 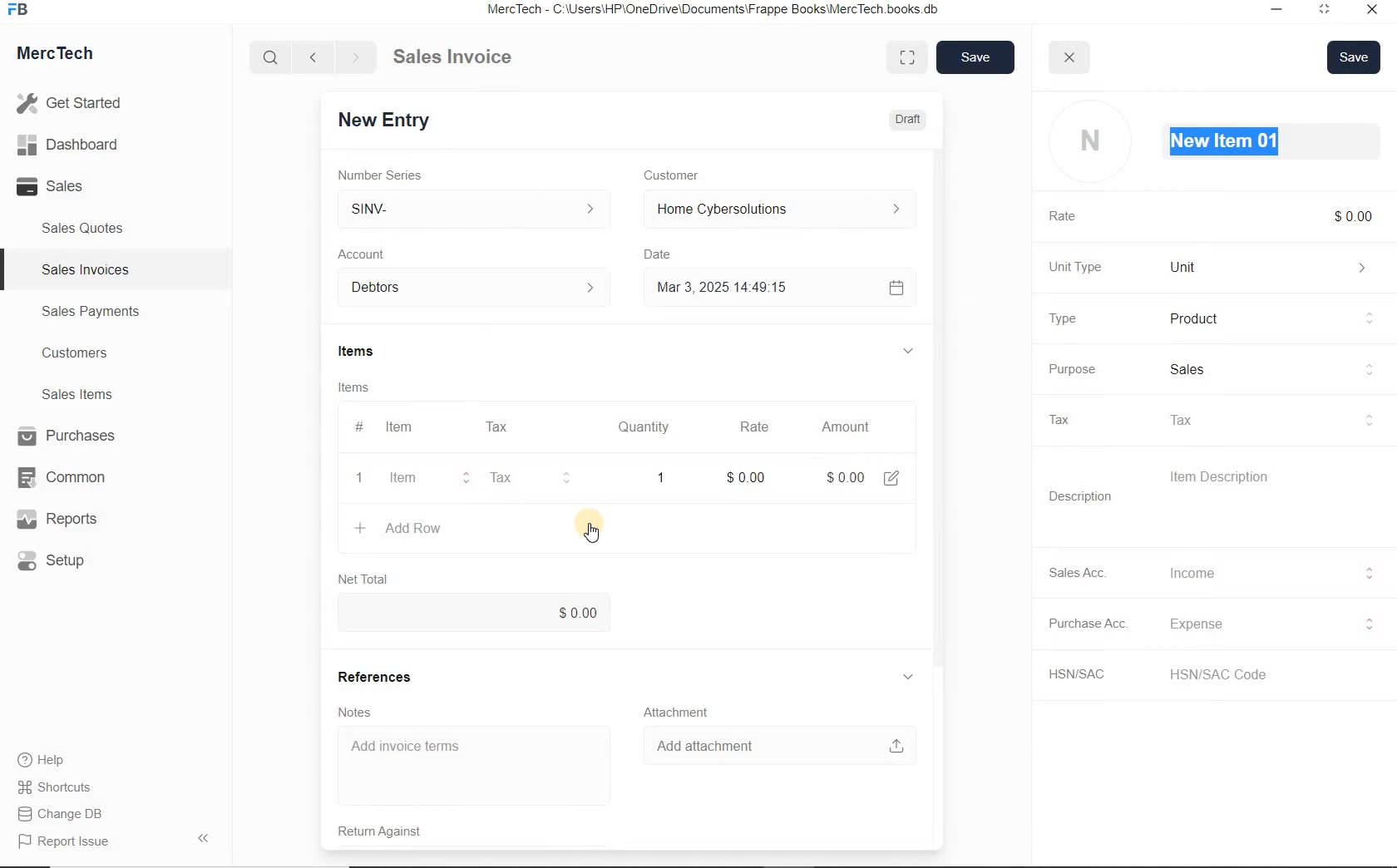 What do you see at coordinates (67, 842) in the screenshot?
I see `Report Issue` at bounding box center [67, 842].